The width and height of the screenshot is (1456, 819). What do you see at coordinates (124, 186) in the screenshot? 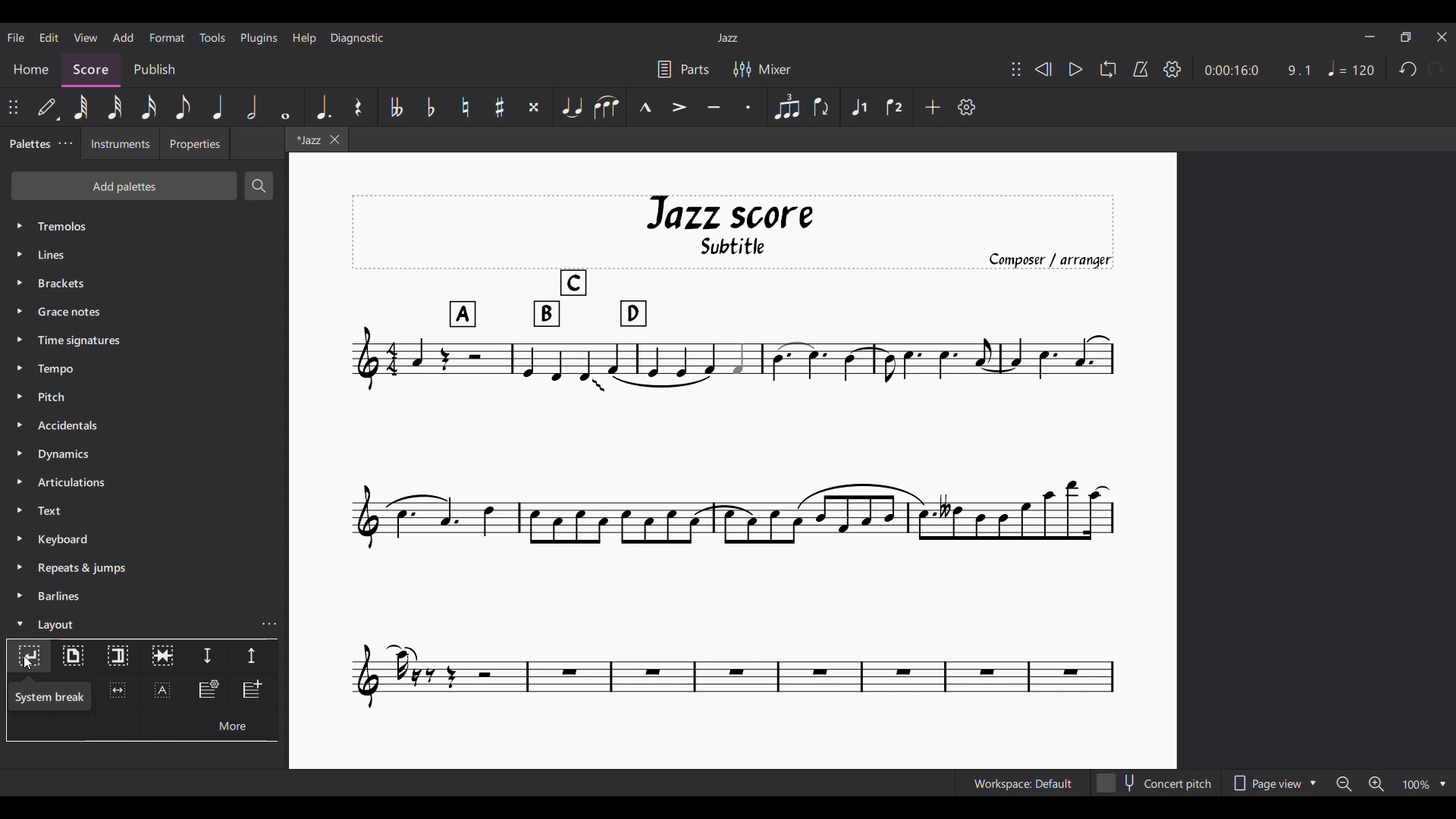
I see `Add palettes` at bounding box center [124, 186].